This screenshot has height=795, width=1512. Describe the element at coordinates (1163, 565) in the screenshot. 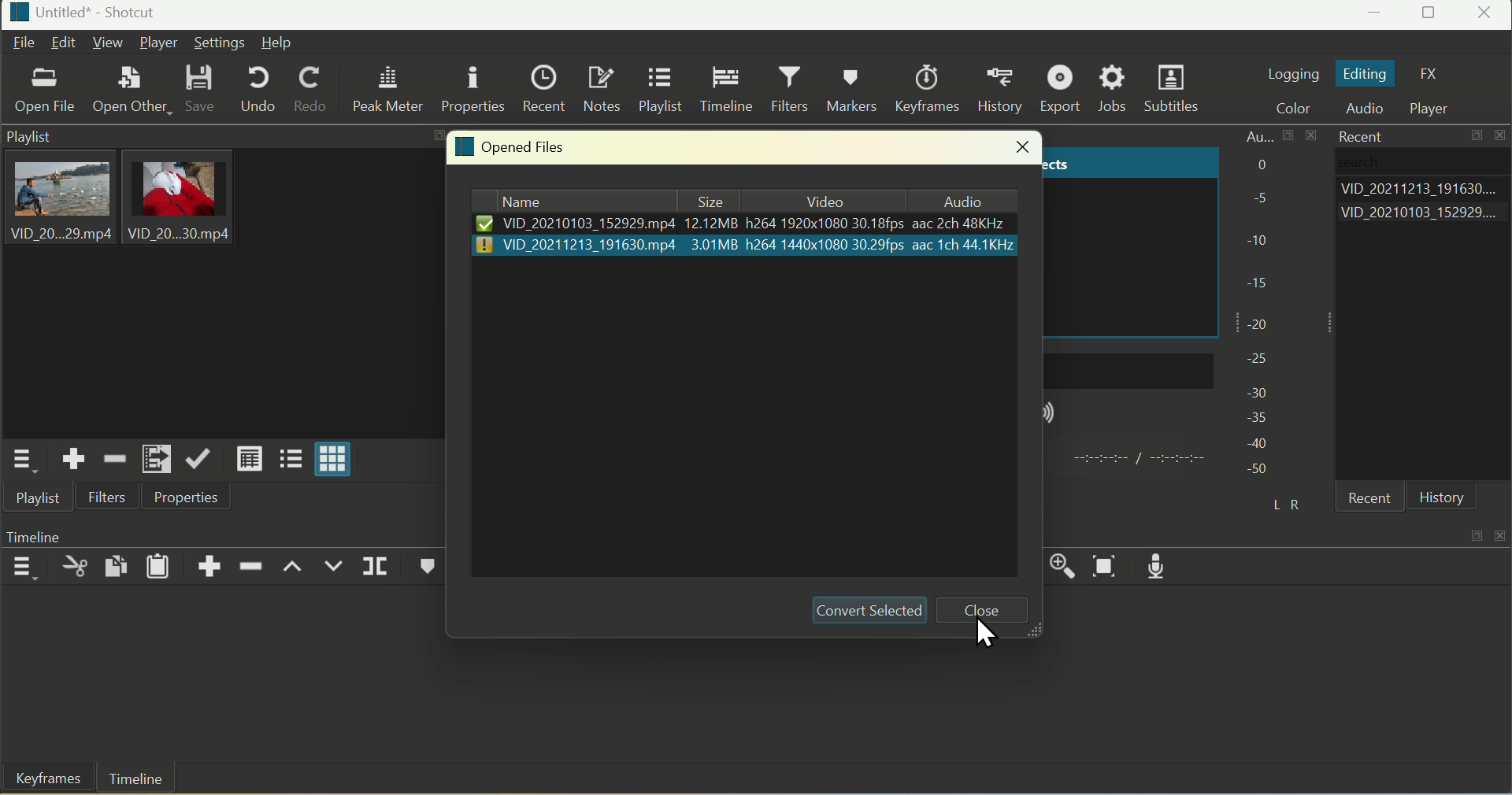

I see `Mic` at that location.